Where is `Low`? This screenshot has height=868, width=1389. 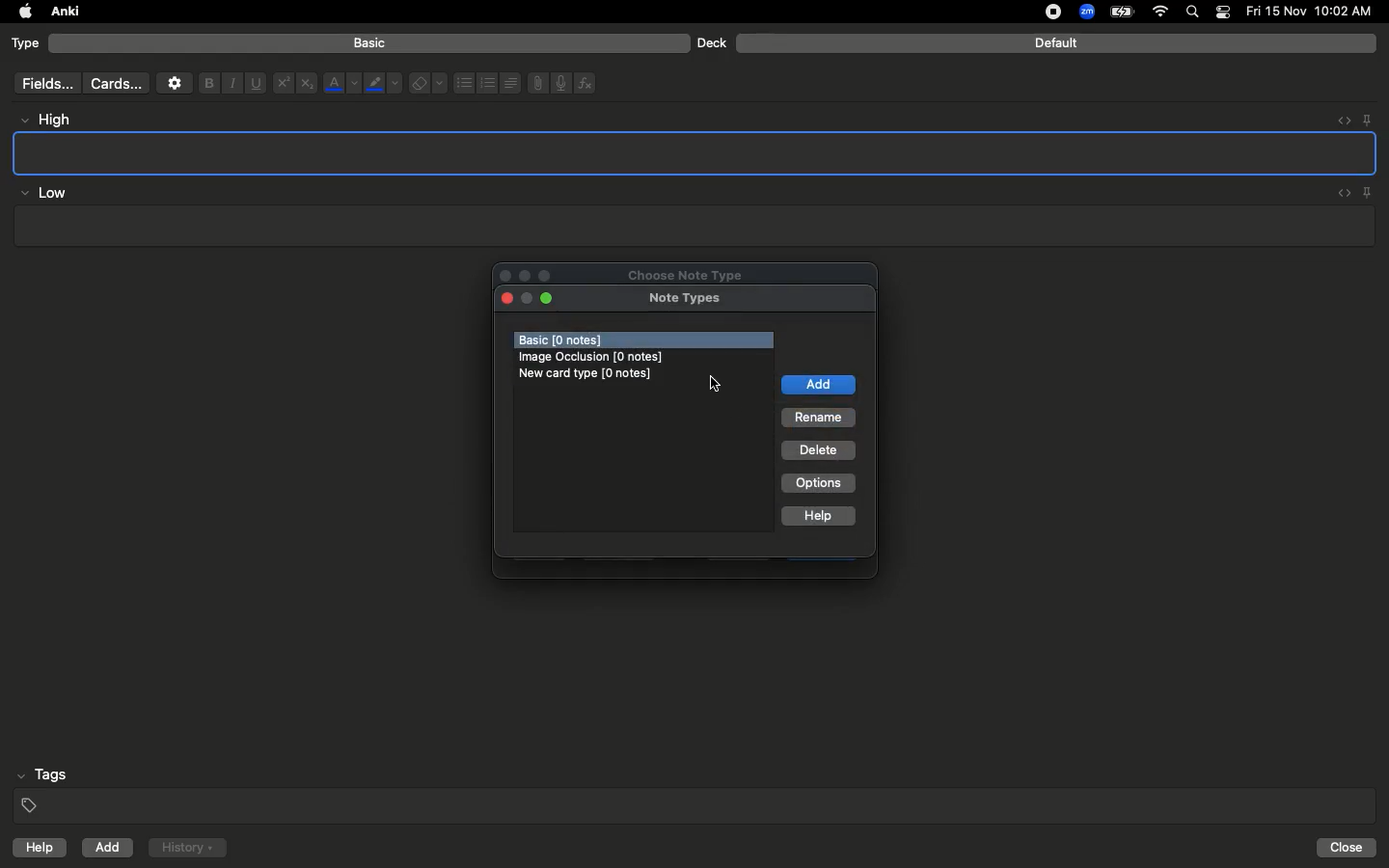
Low is located at coordinates (44, 194).